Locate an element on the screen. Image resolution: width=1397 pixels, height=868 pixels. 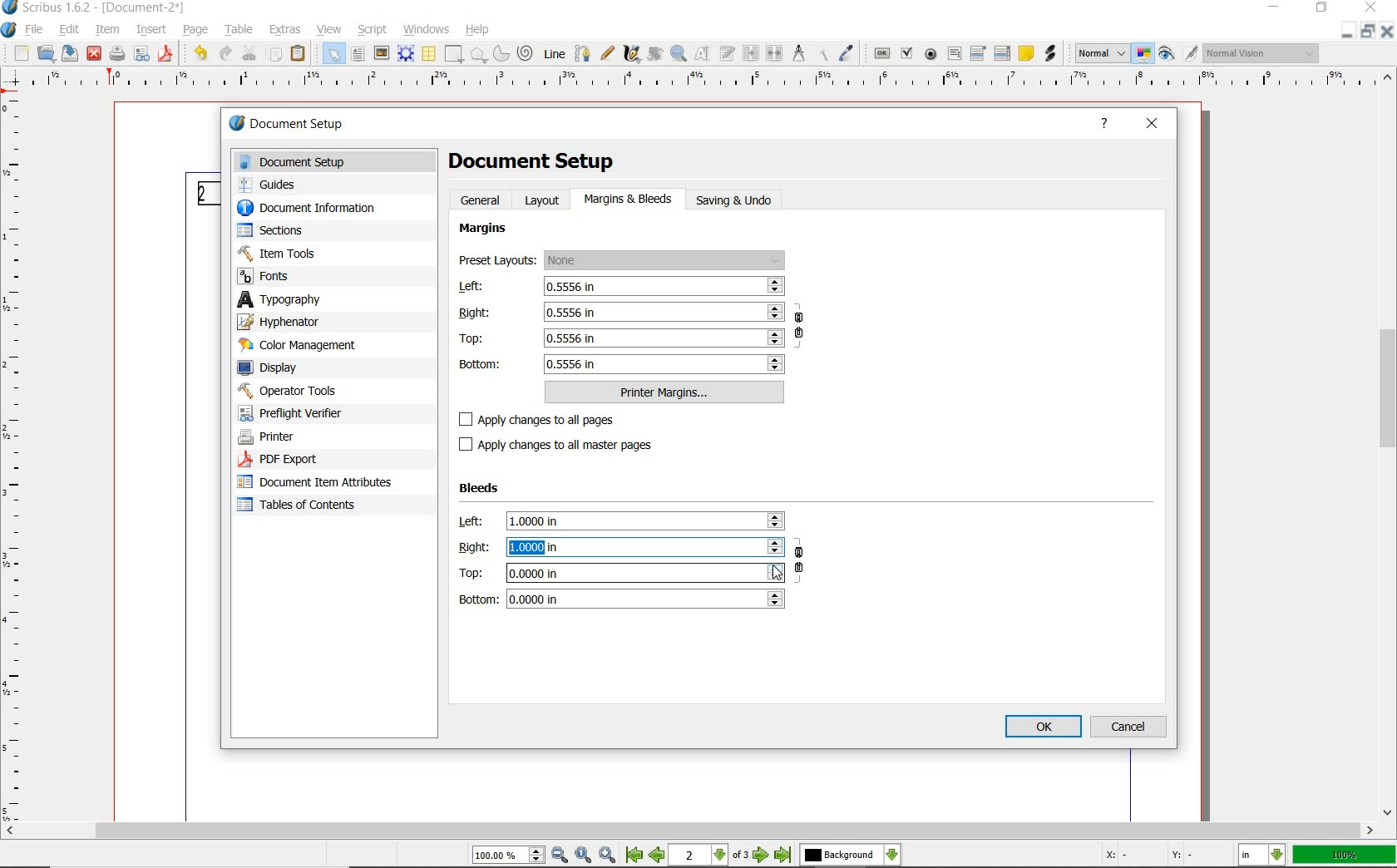
saving & undo is located at coordinates (743, 201).